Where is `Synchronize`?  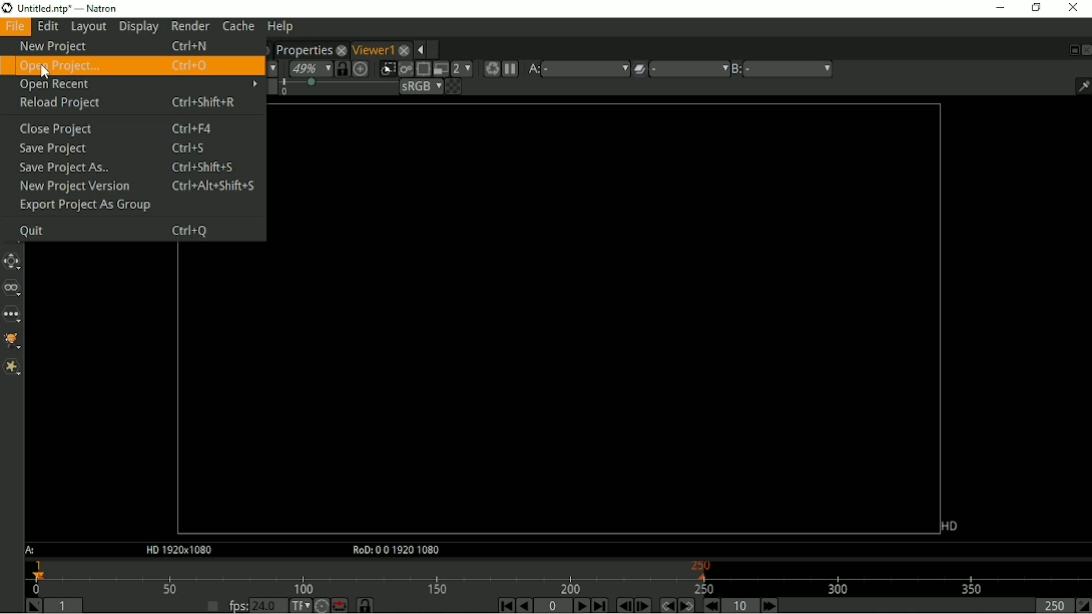 Synchronize is located at coordinates (342, 68).